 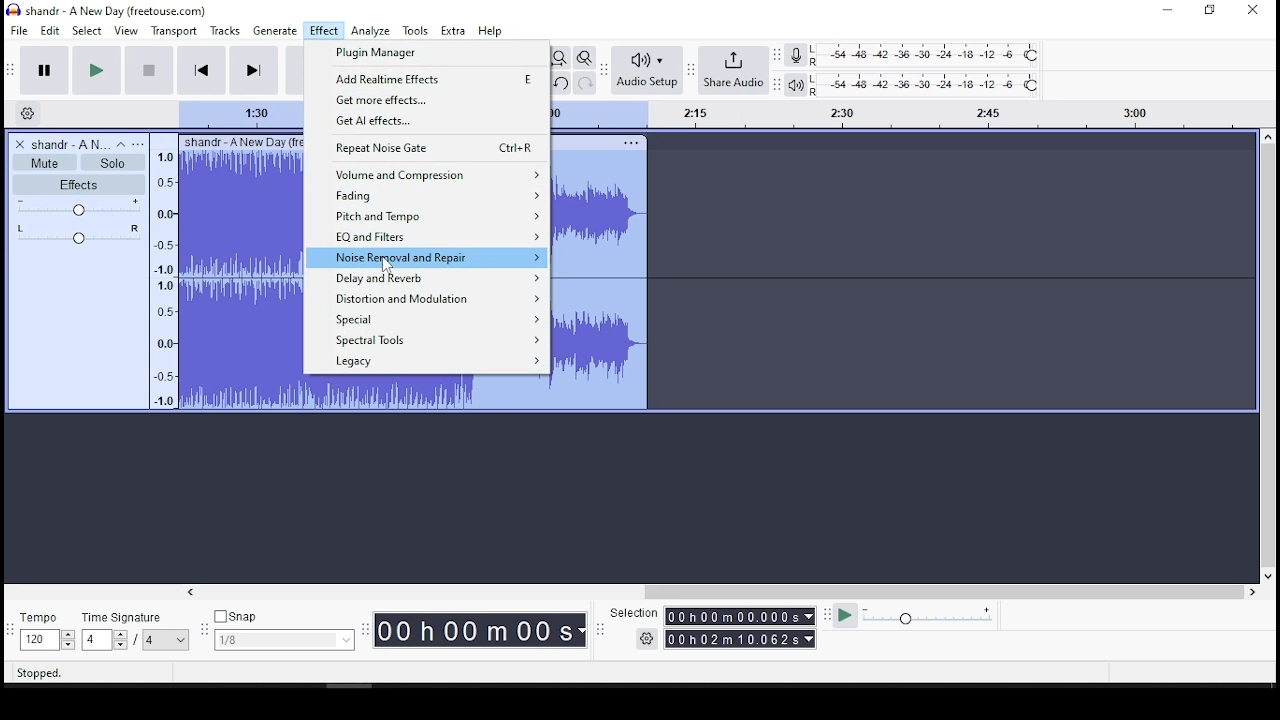 What do you see at coordinates (560, 82) in the screenshot?
I see `undo` at bounding box center [560, 82].